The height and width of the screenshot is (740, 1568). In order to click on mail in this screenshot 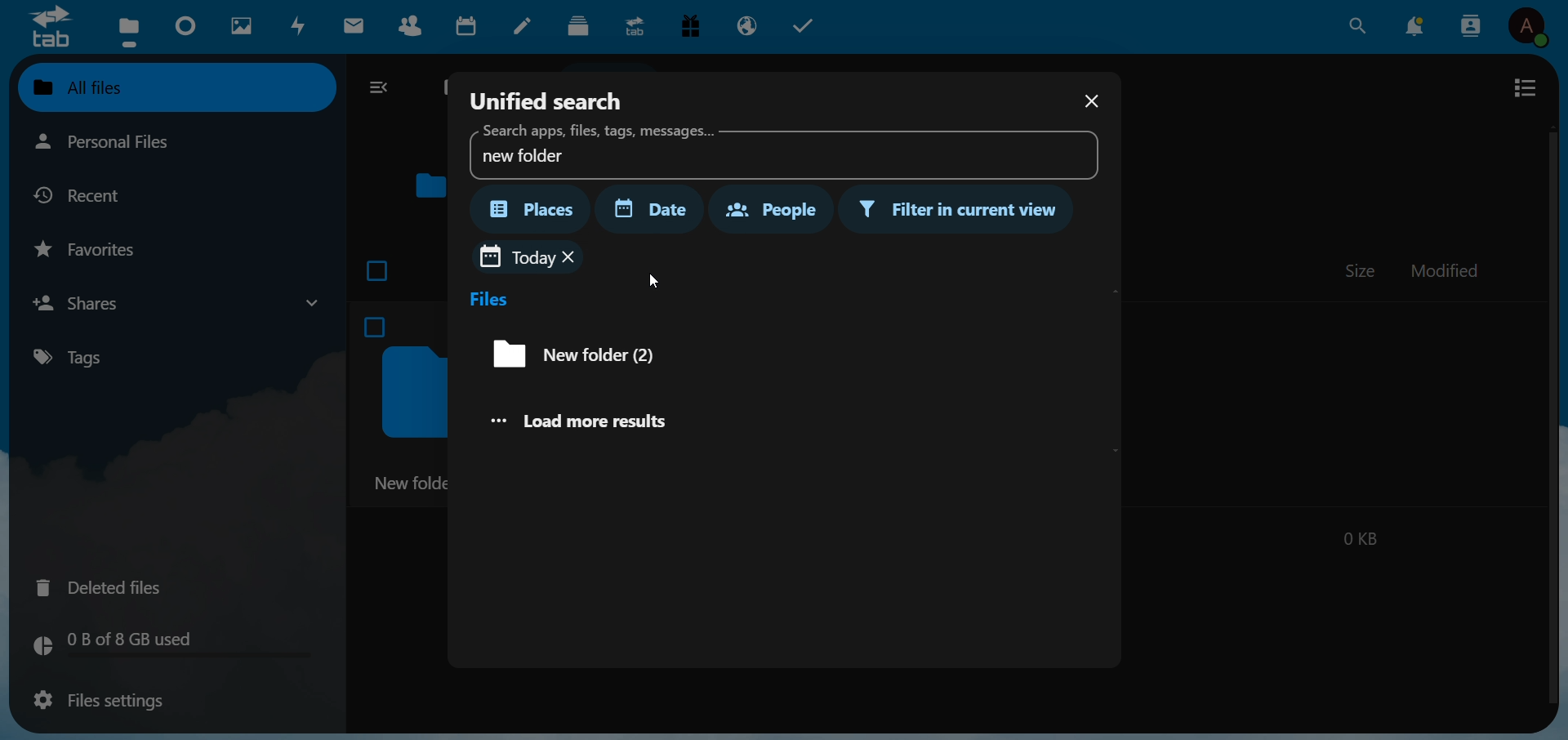, I will do `click(357, 26)`.